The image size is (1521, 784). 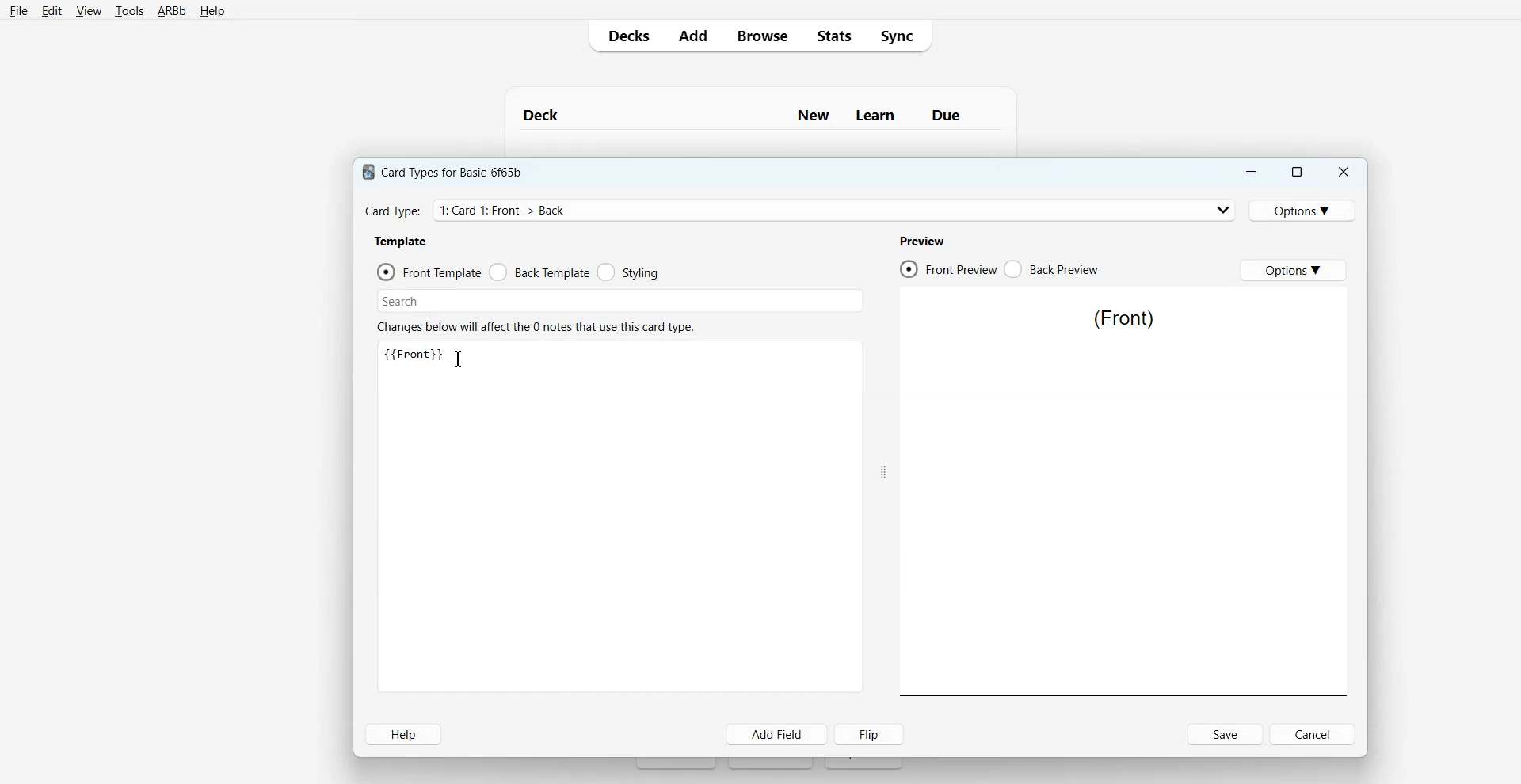 I want to click on Card Type, so click(x=799, y=209).